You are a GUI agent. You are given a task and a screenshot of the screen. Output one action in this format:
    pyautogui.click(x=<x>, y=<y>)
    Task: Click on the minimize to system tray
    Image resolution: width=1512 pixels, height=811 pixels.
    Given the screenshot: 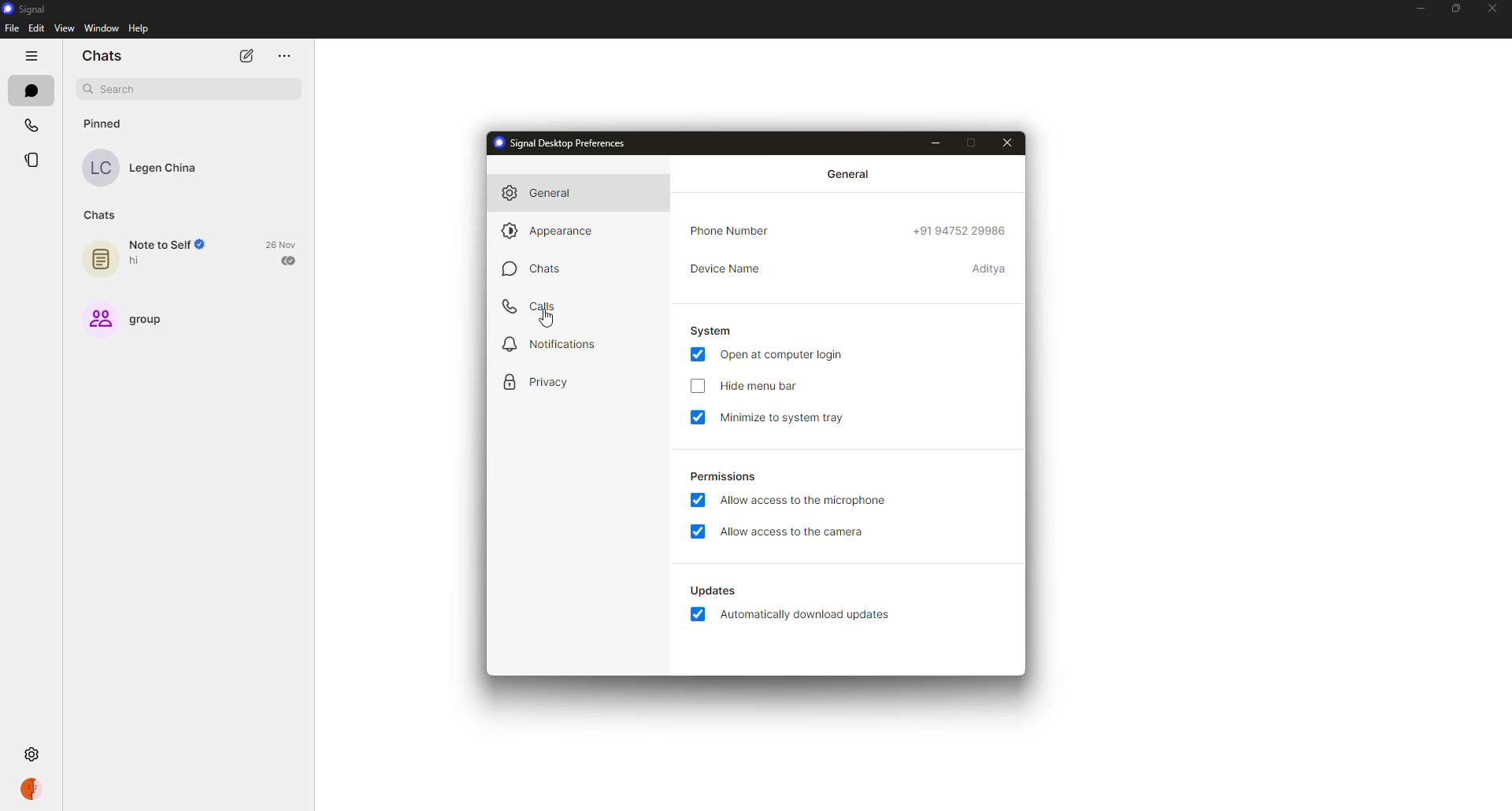 What is the action you would take?
    pyautogui.click(x=783, y=417)
    